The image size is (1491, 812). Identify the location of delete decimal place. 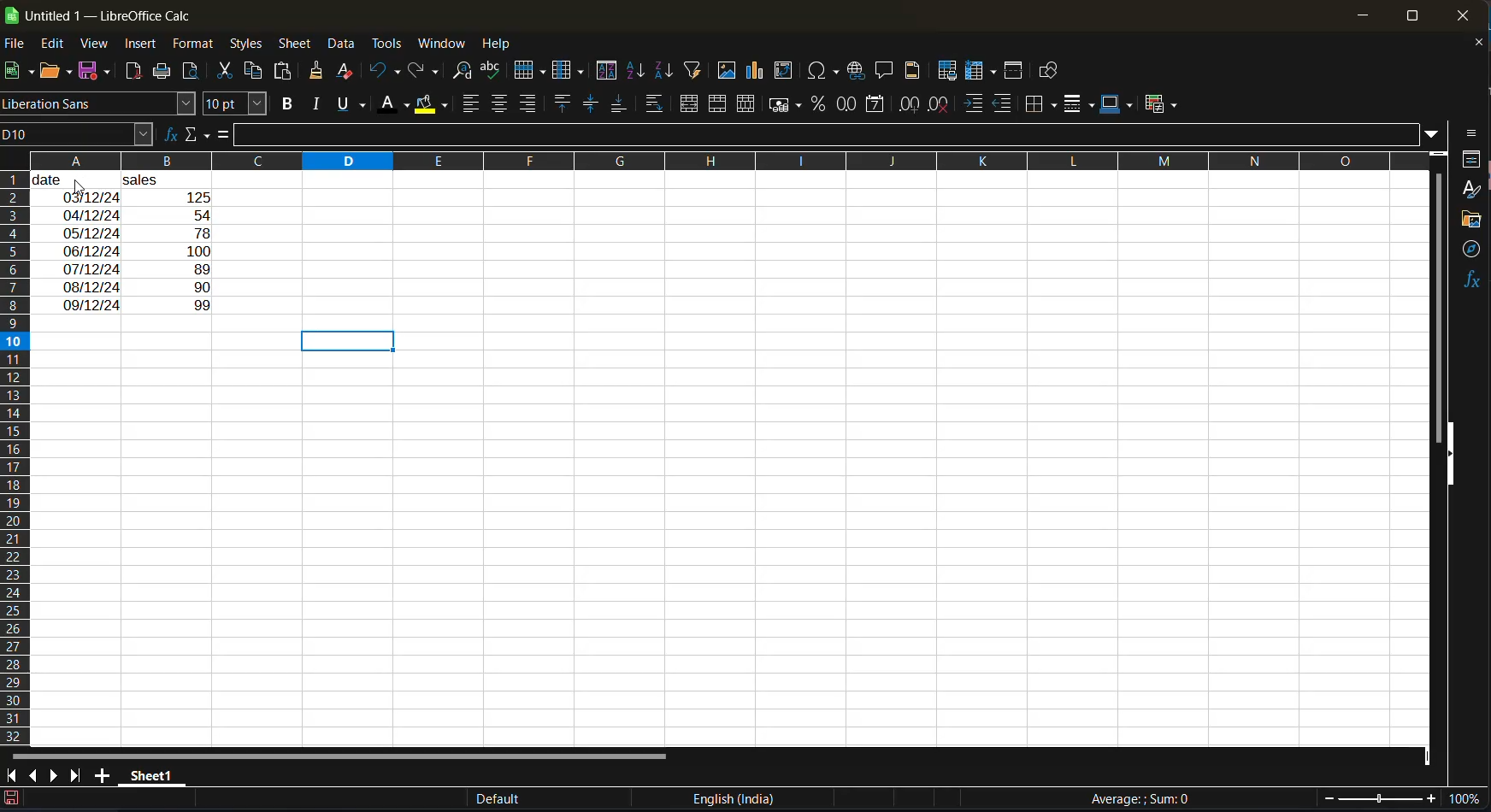
(941, 107).